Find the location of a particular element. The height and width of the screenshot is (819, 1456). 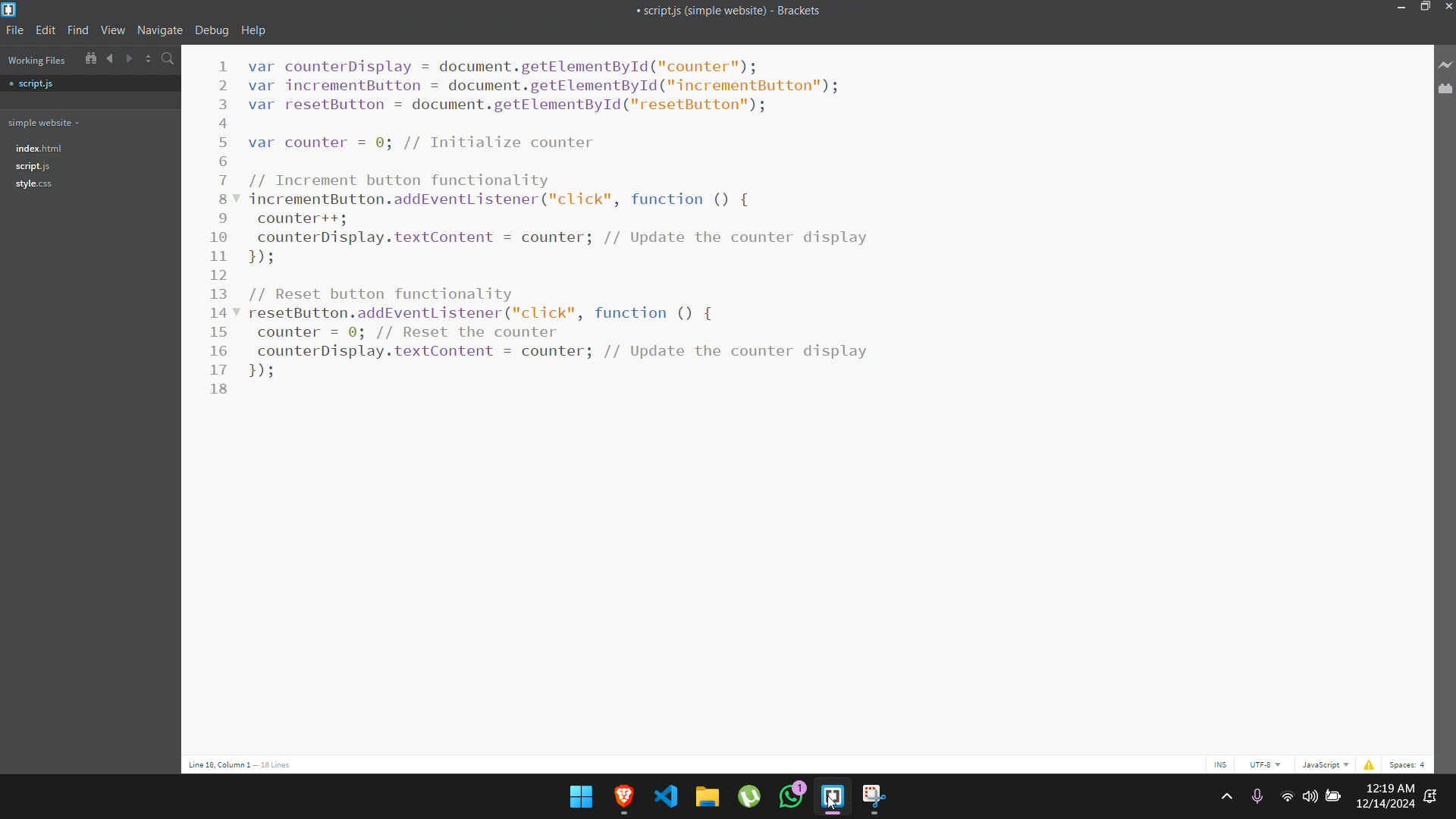

split horizontally/vertically is located at coordinates (150, 58).